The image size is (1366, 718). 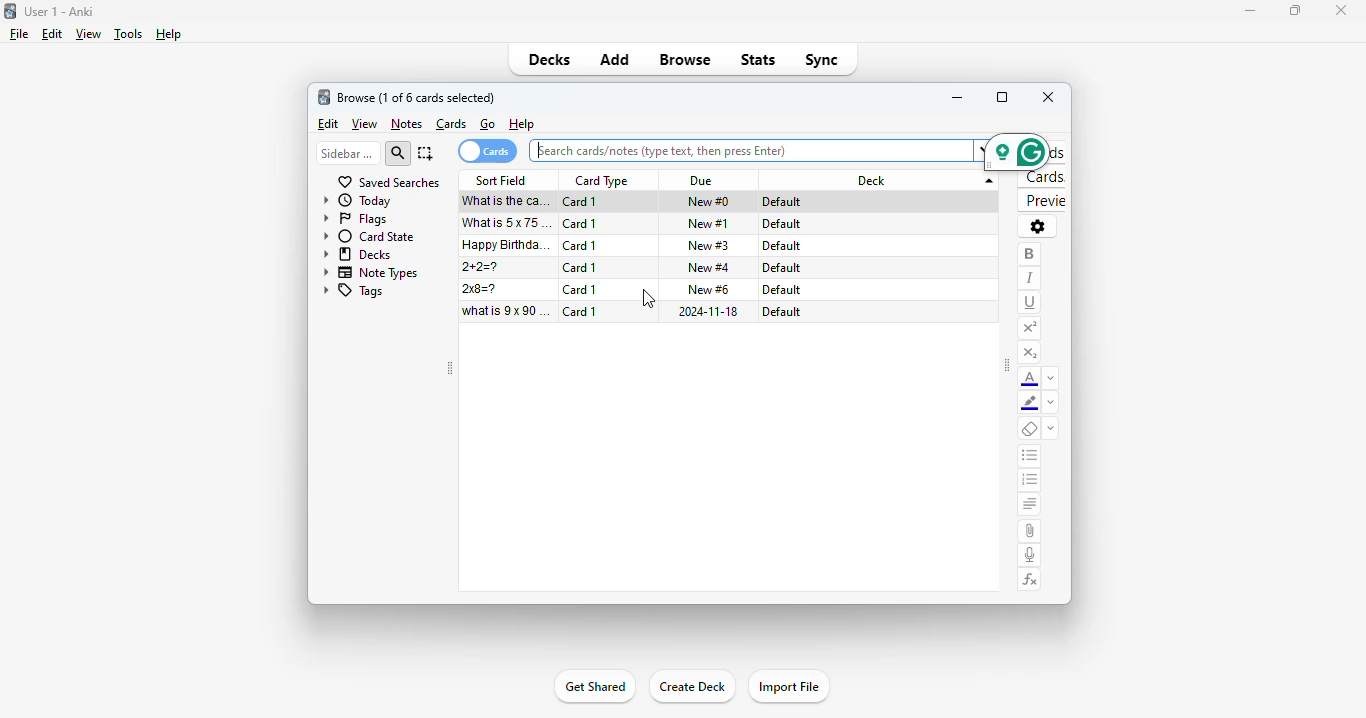 What do you see at coordinates (821, 60) in the screenshot?
I see `sync` at bounding box center [821, 60].